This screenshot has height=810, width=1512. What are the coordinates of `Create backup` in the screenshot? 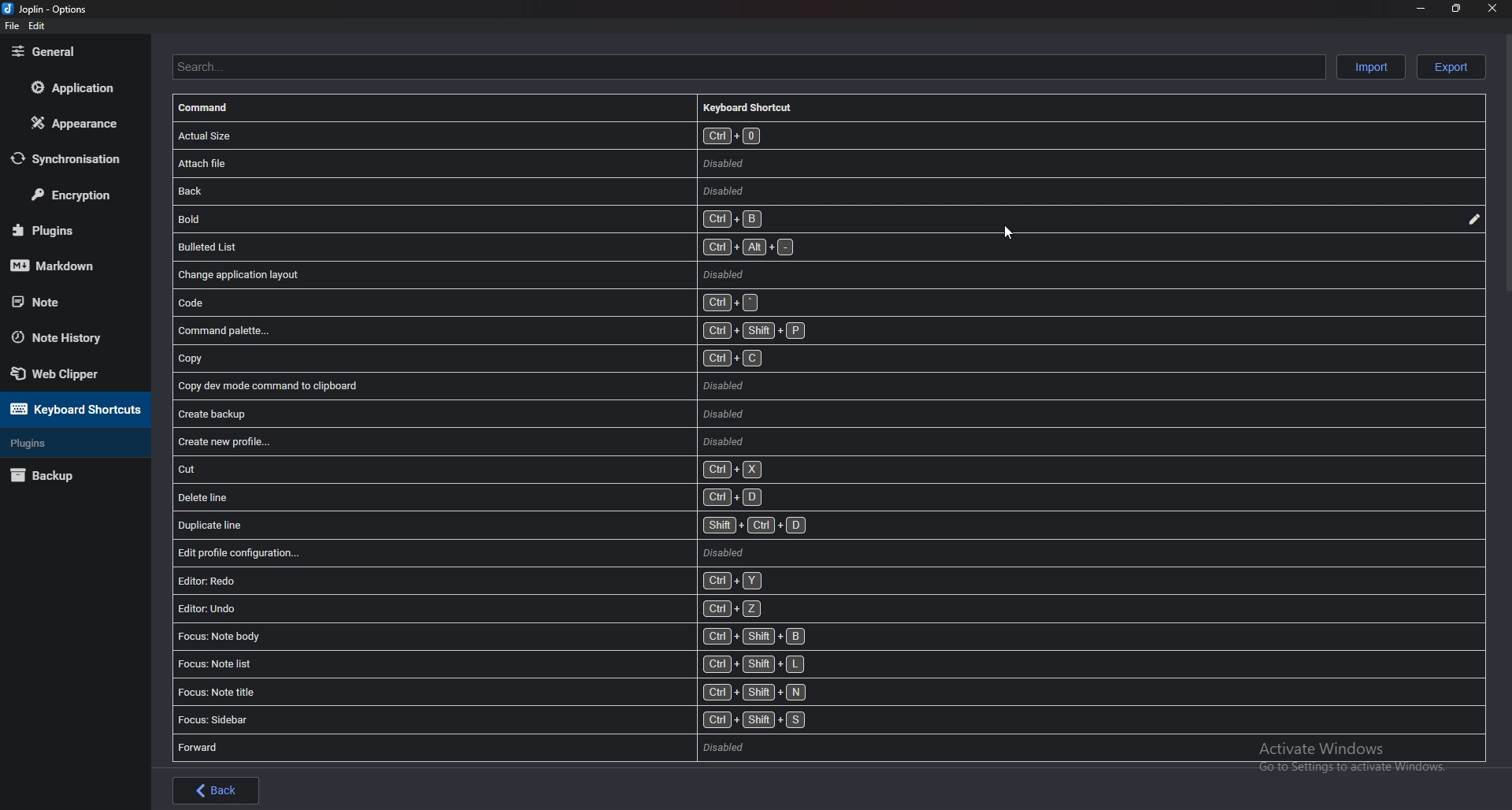 It's located at (463, 414).